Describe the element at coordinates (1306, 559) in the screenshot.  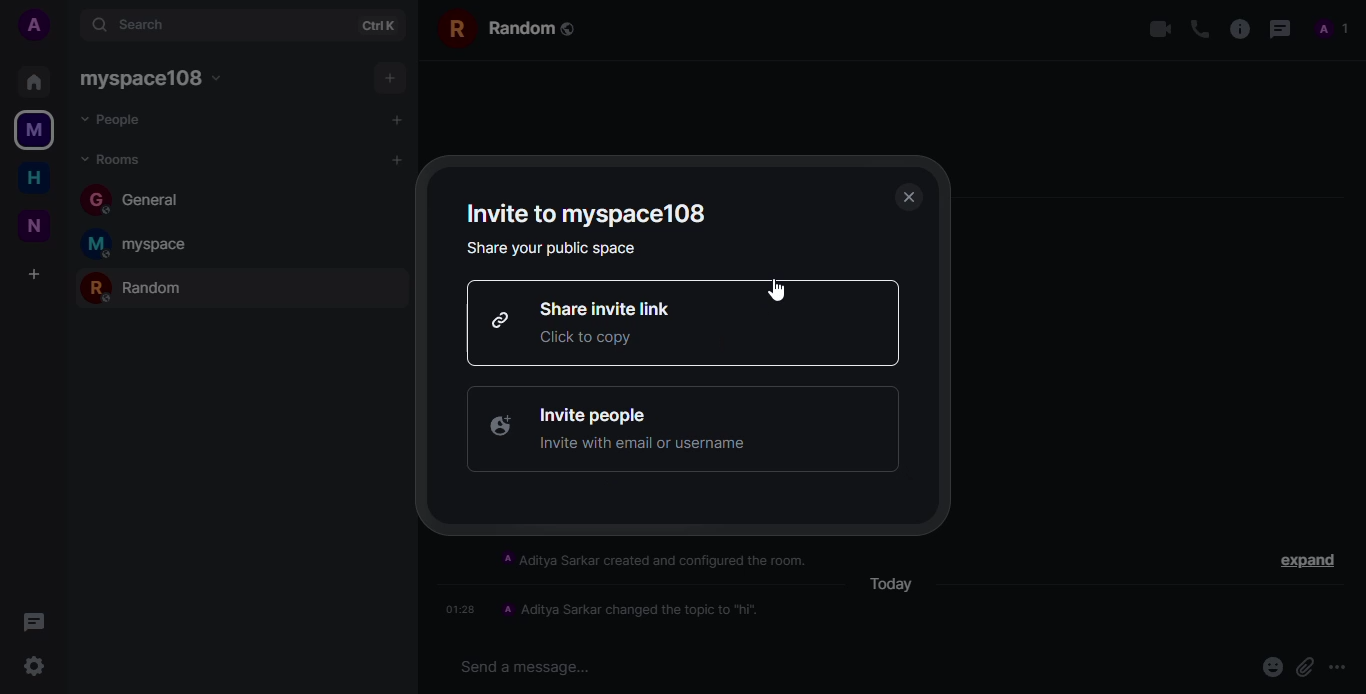
I see `expand` at that location.